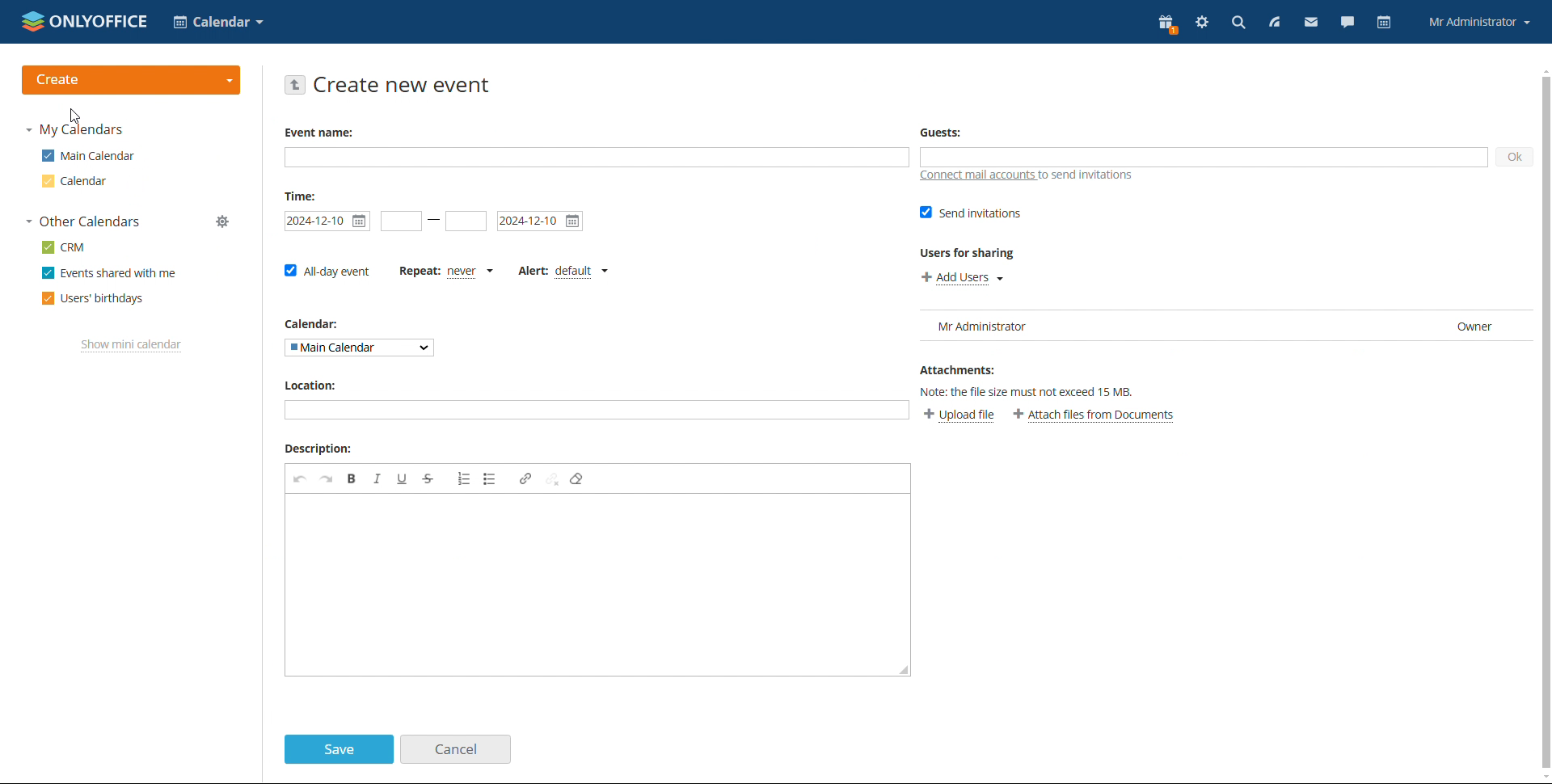  What do you see at coordinates (108, 272) in the screenshot?
I see `events shared with me` at bounding box center [108, 272].